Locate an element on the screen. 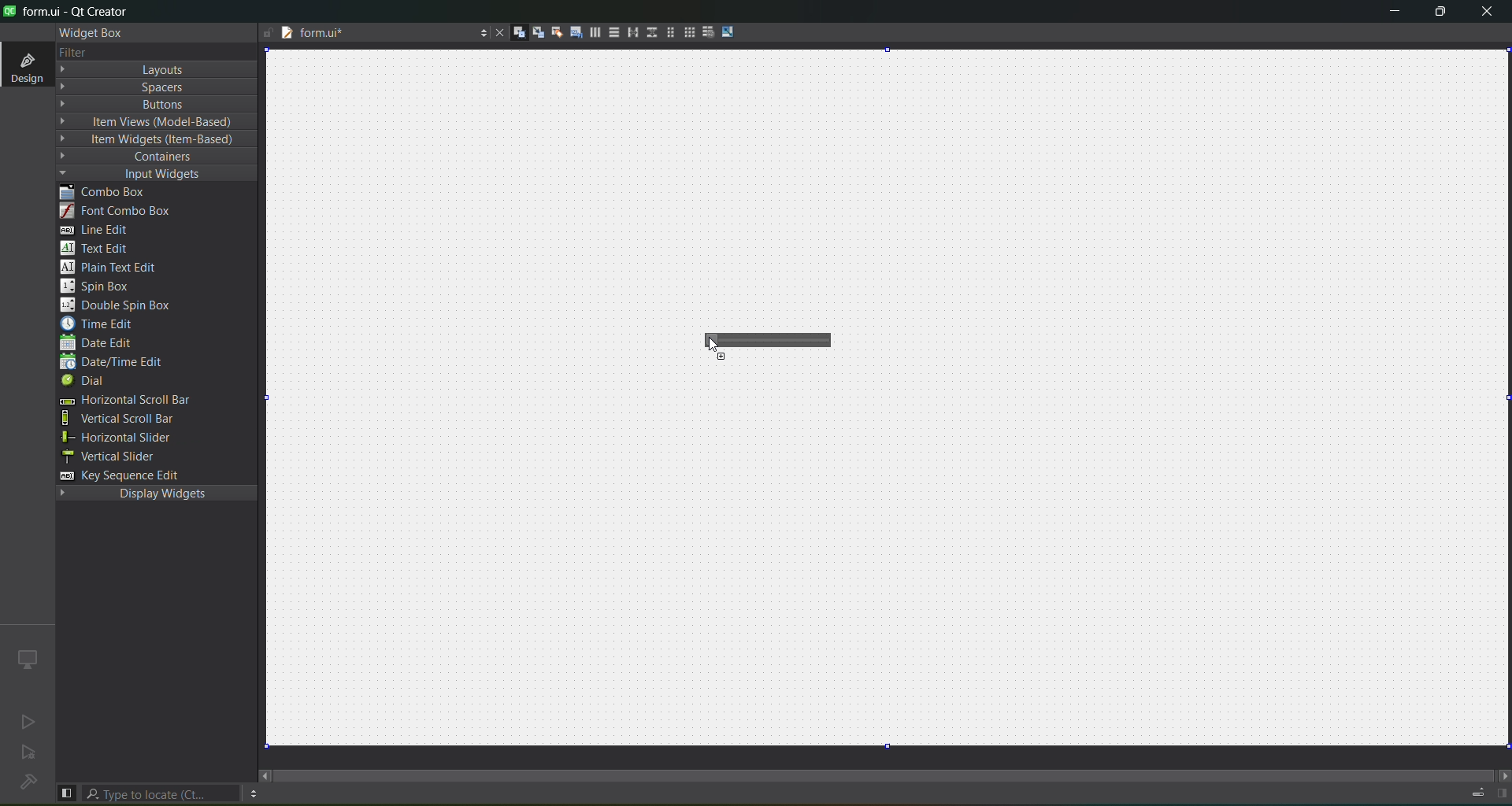  horizontal layout is located at coordinates (591, 31).